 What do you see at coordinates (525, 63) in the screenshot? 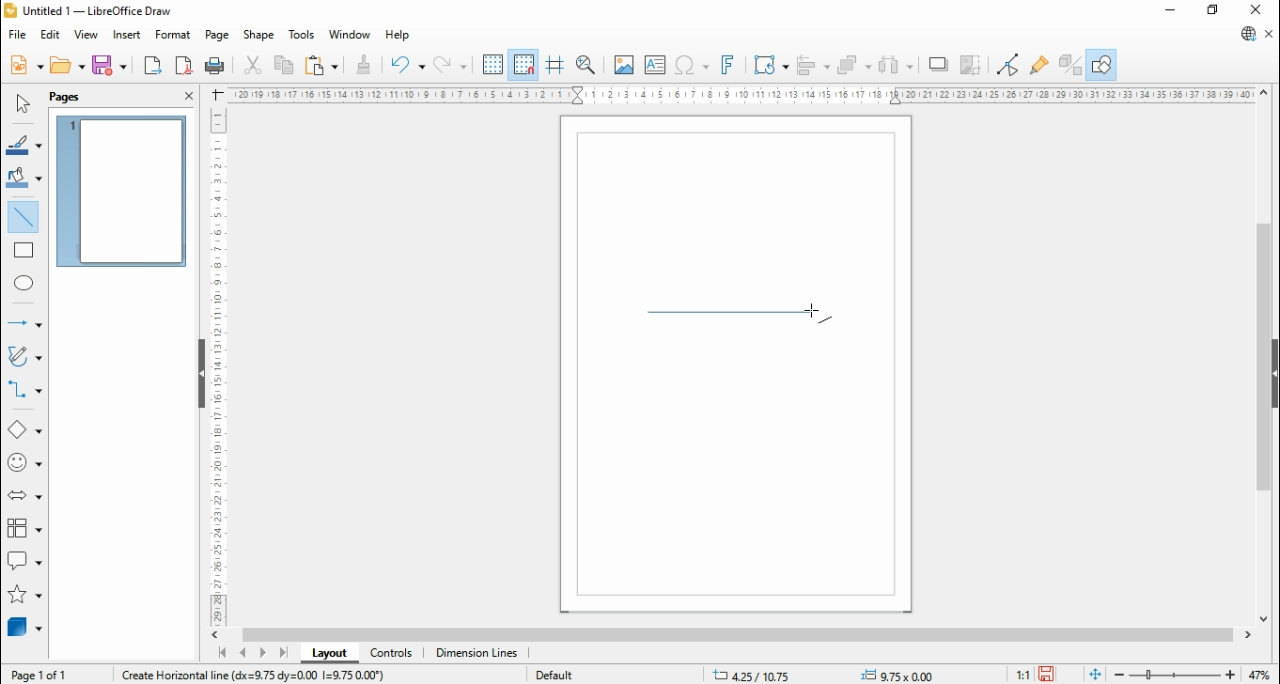
I see `snap to grids` at bounding box center [525, 63].